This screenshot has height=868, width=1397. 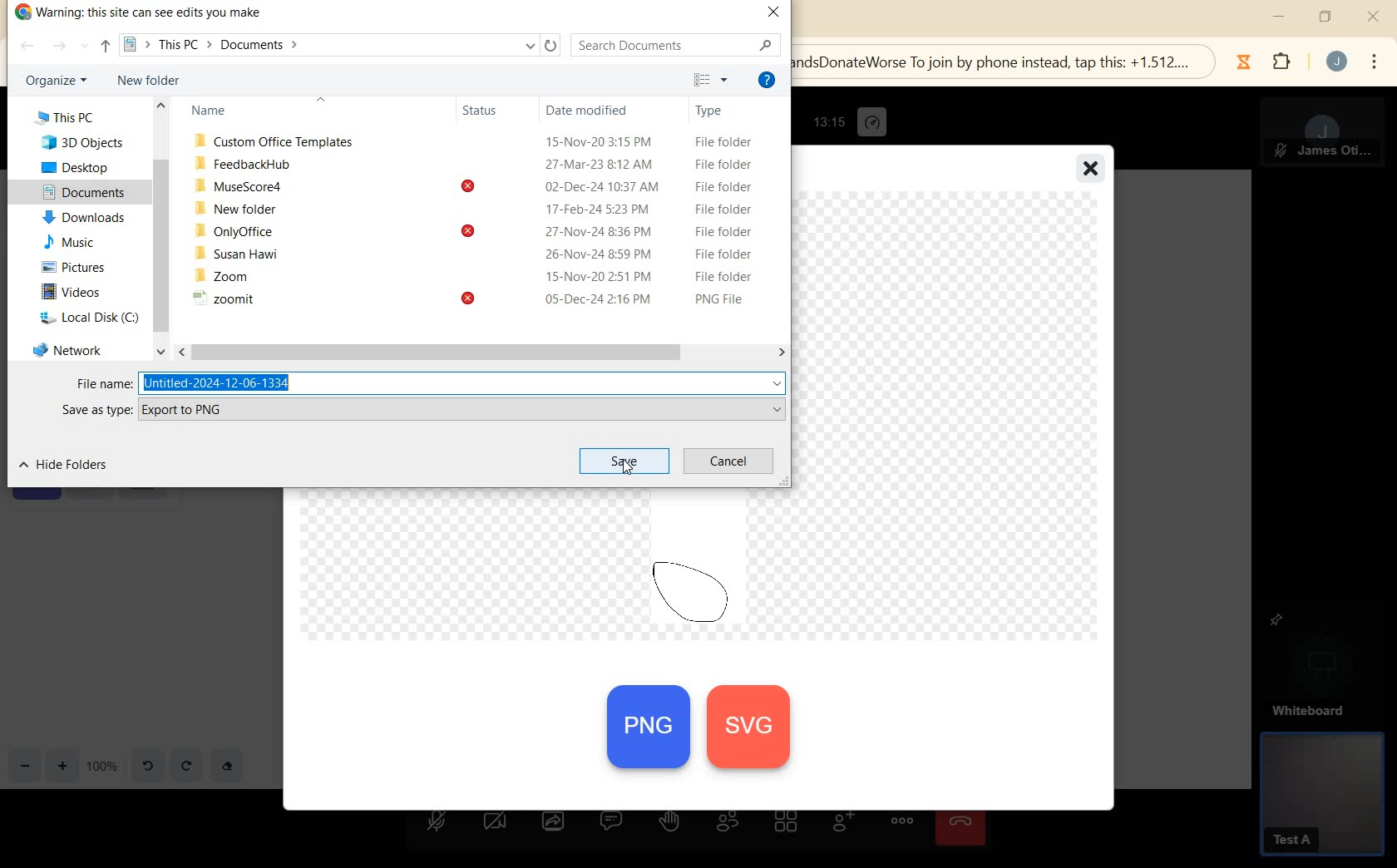 What do you see at coordinates (476, 298) in the screenshot?
I see `` at bounding box center [476, 298].